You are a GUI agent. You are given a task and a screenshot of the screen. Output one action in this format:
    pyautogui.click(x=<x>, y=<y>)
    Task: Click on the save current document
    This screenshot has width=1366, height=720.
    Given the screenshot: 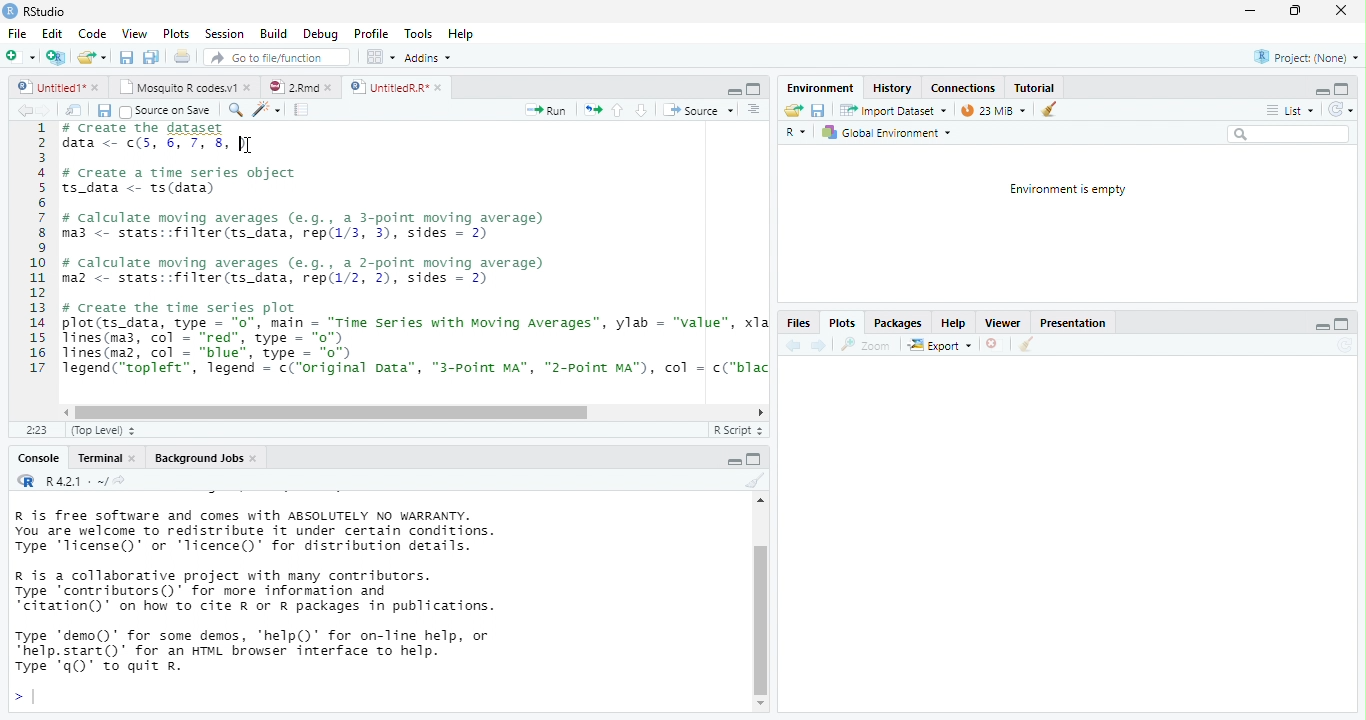 What is the action you would take?
    pyautogui.click(x=819, y=111)
    